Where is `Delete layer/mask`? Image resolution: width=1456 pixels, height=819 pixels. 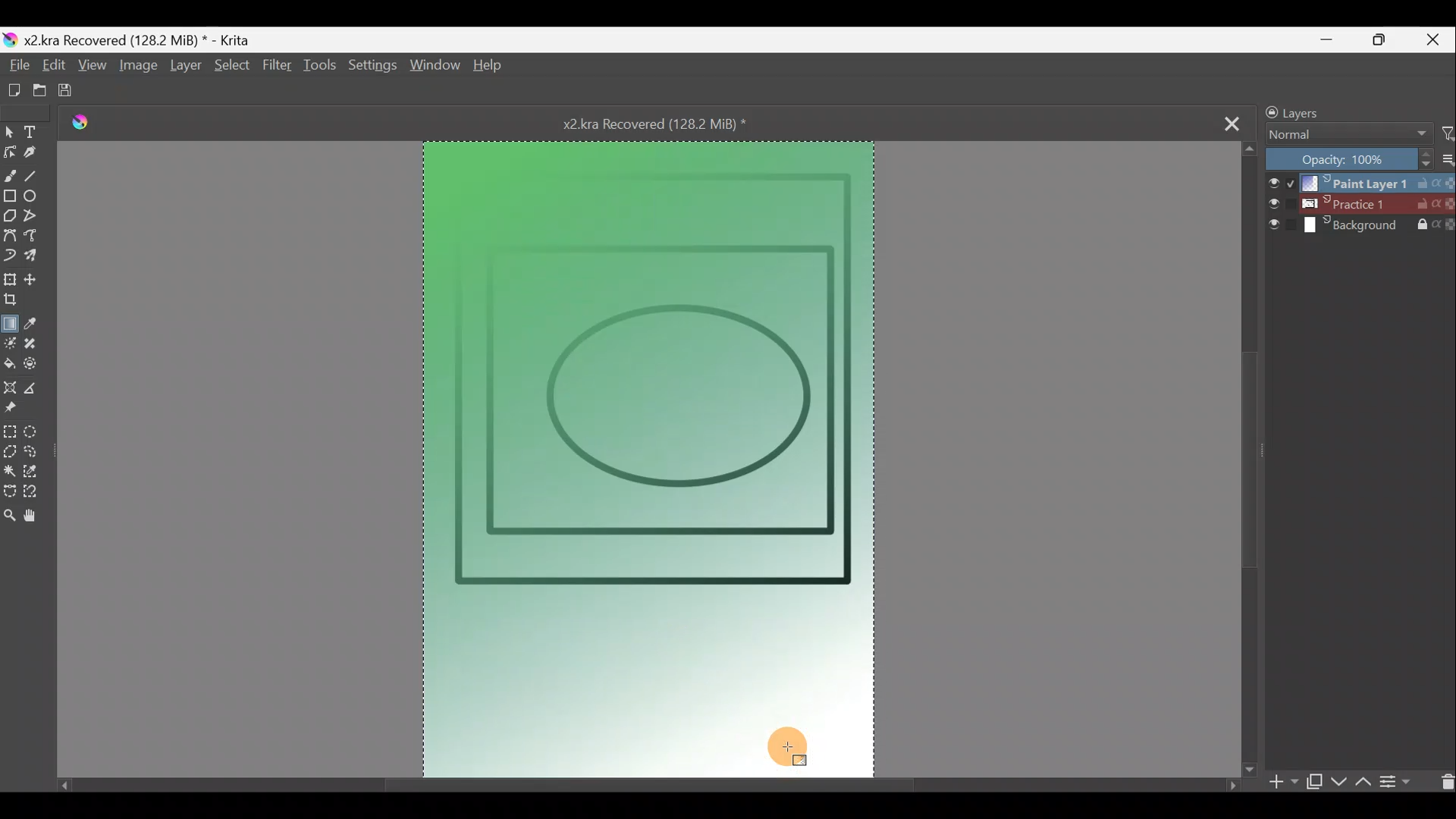
Delete layer/mask is located at coordinates (1443, 780).